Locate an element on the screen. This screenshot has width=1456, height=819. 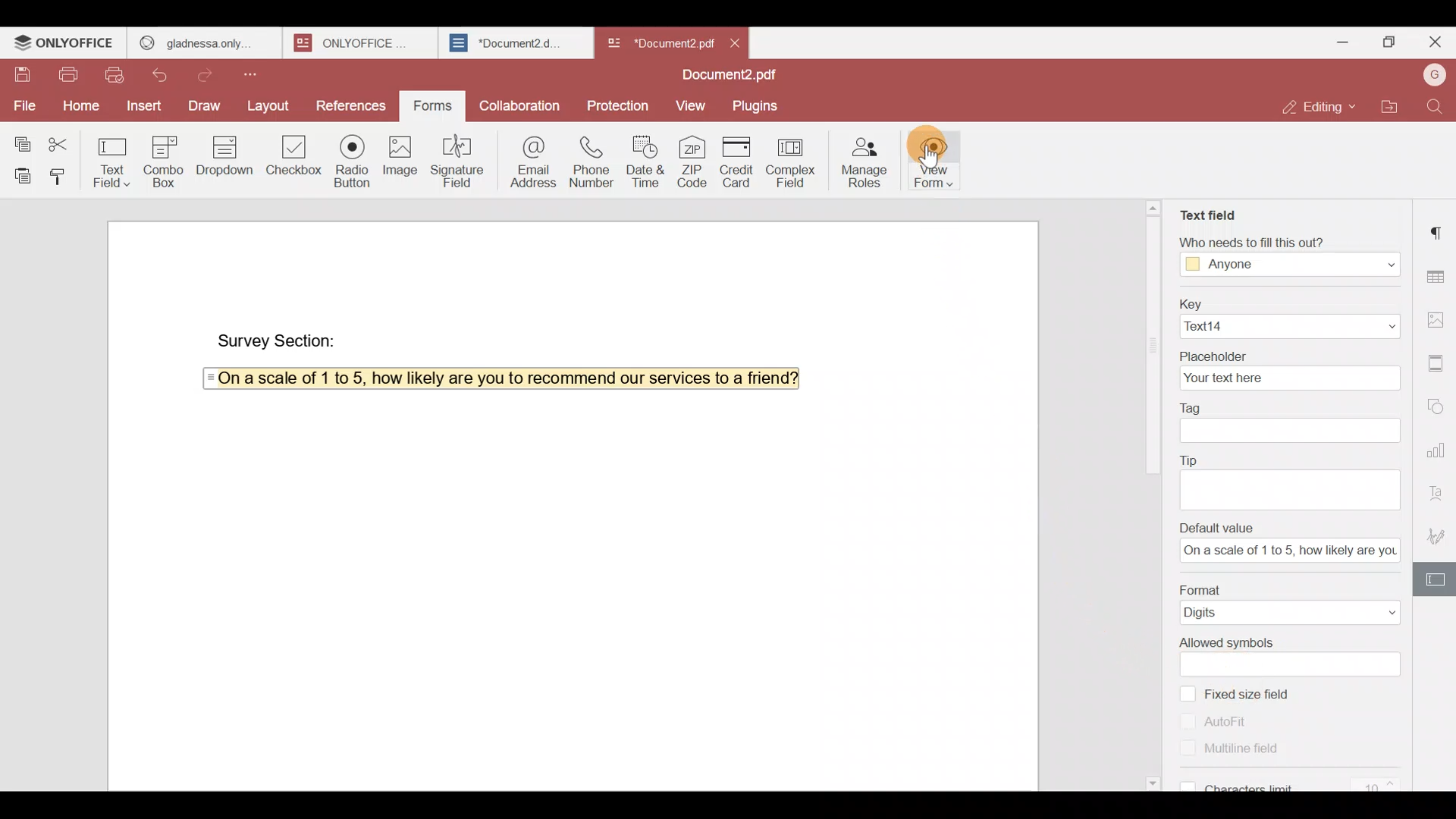
Protection is located at coordinates (619, 104).